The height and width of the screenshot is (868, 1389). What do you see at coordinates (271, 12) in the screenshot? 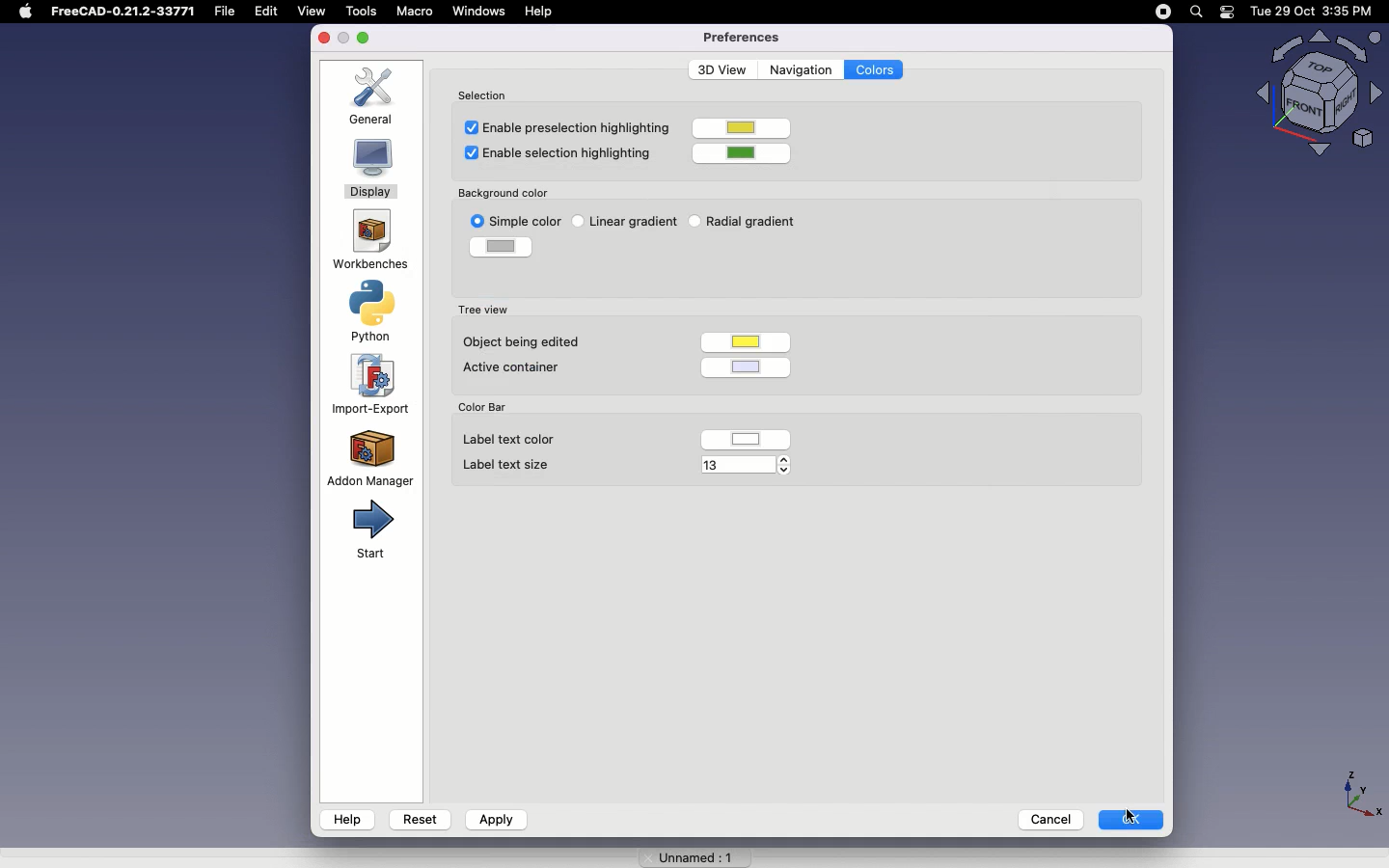
I see `Edit` at bounding box center [271, 12].